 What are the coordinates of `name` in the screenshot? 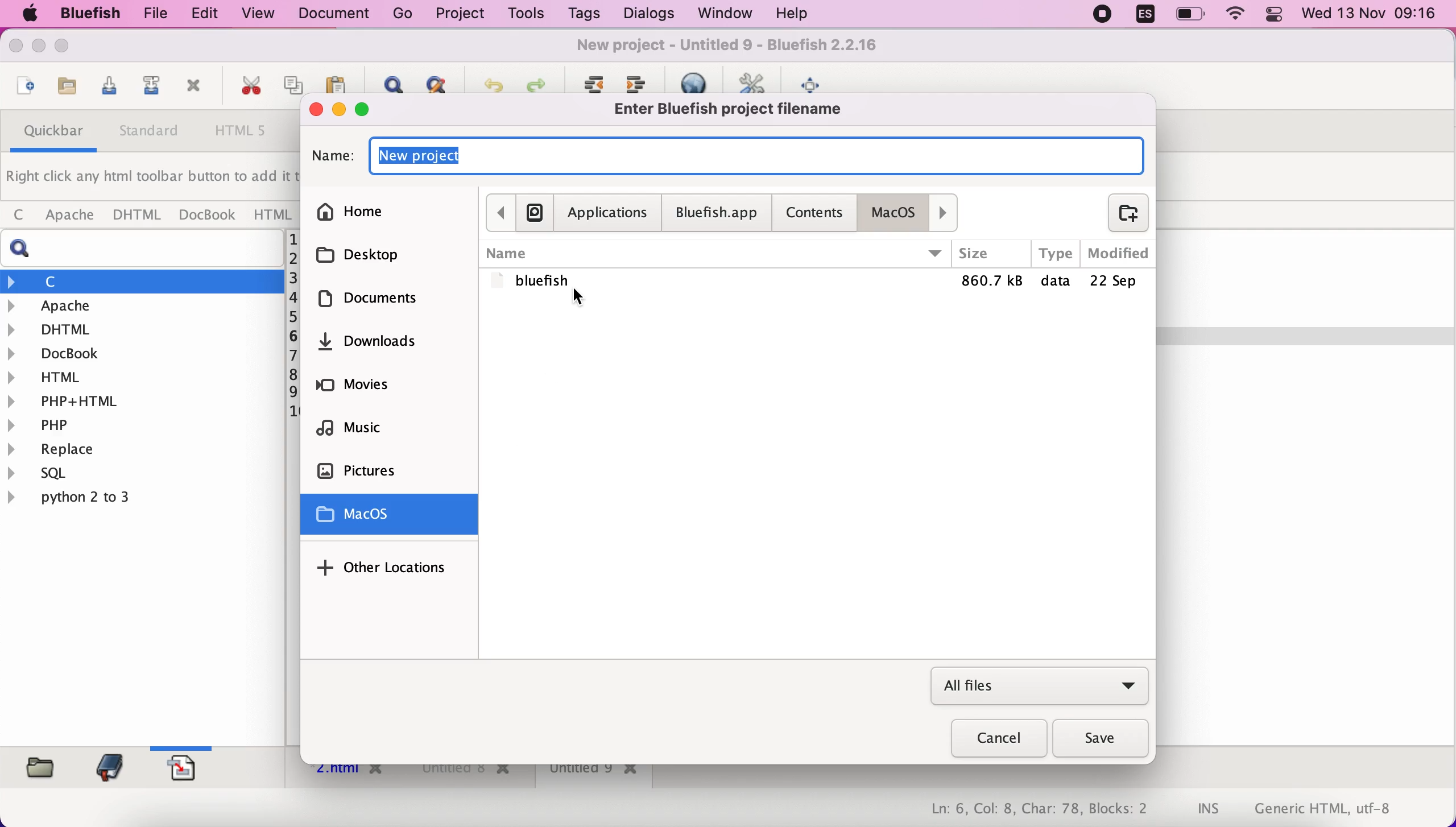 It's located at (715, 253).